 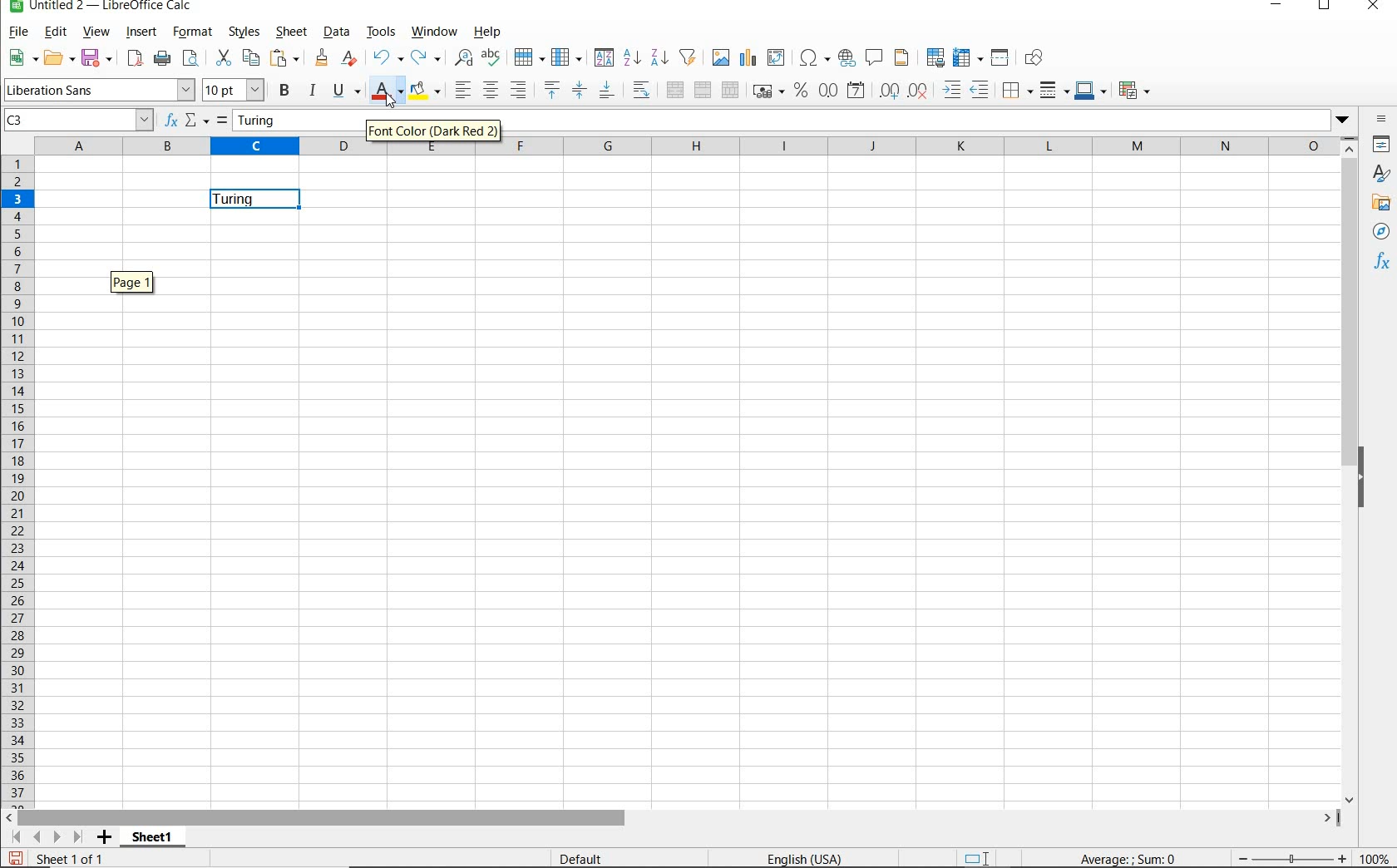 What do you see at coordinates (949, 90) in the screenshot?
I see `INCREASE INDENT` at bounding box center [949, 90].